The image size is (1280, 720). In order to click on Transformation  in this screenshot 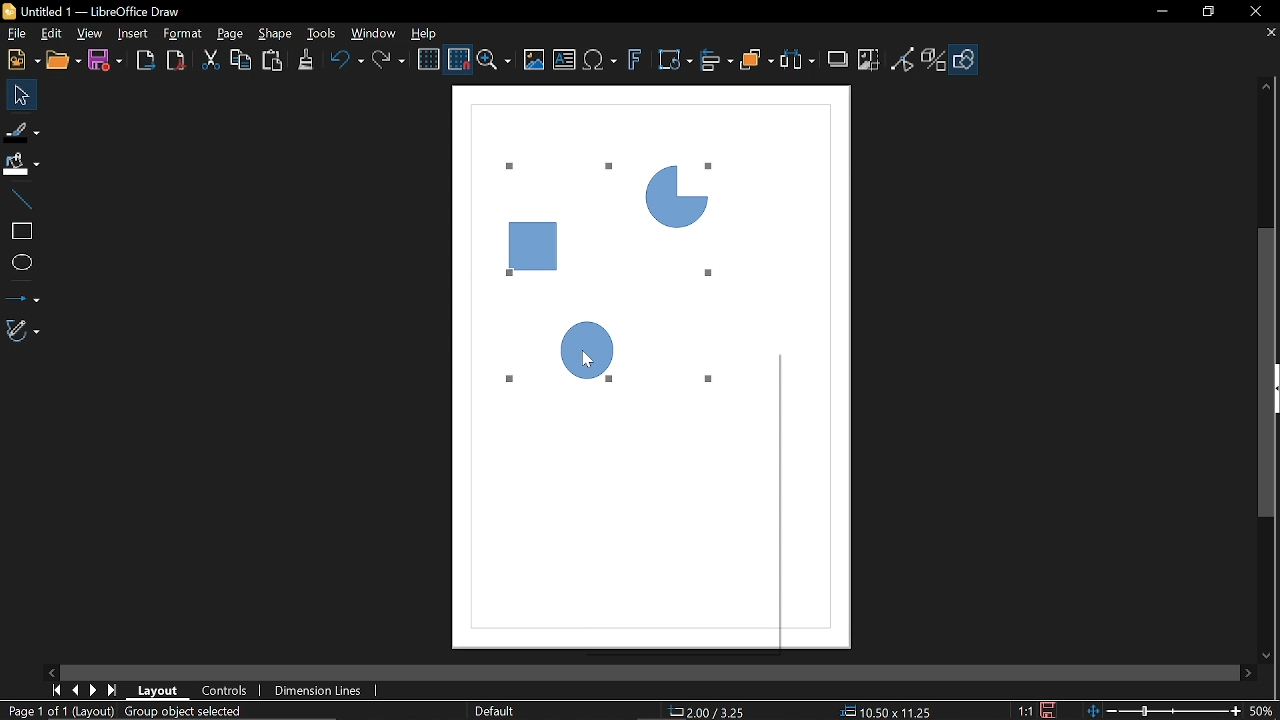, I will do `click(674, 61)`.